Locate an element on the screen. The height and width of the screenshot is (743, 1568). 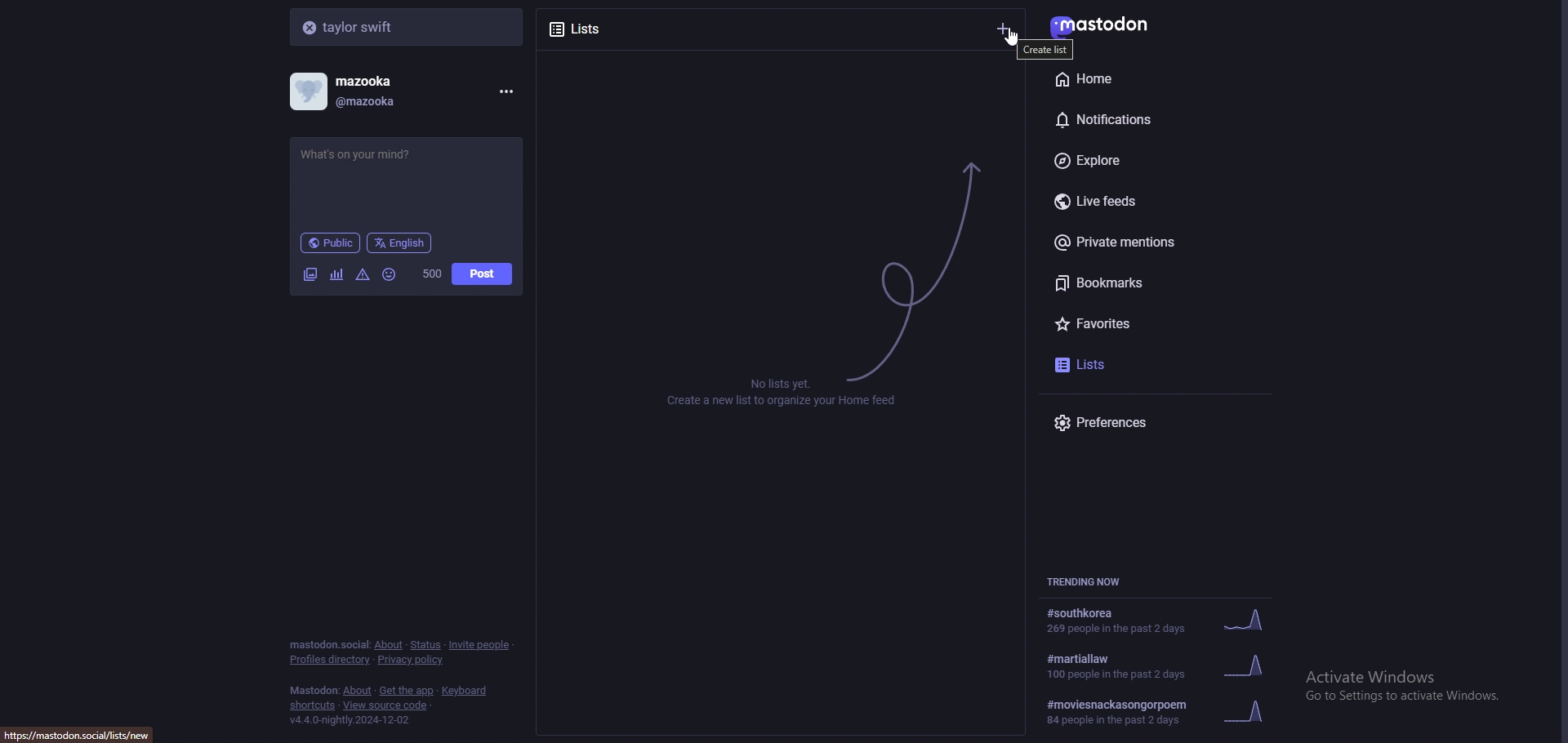
tooltip is located at coordinates (1047, 49).